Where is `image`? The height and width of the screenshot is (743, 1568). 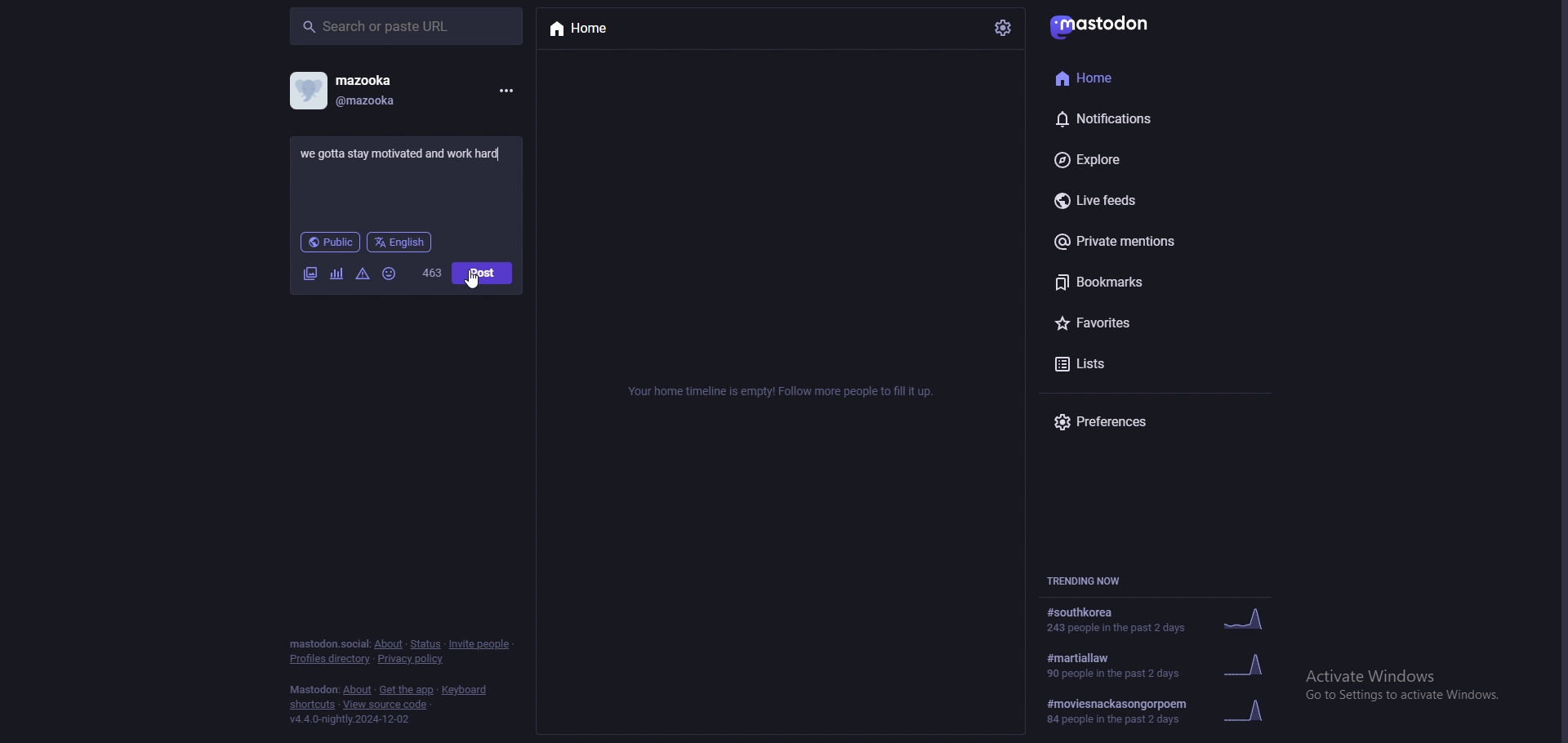 image is located at coordinates (310, 273).